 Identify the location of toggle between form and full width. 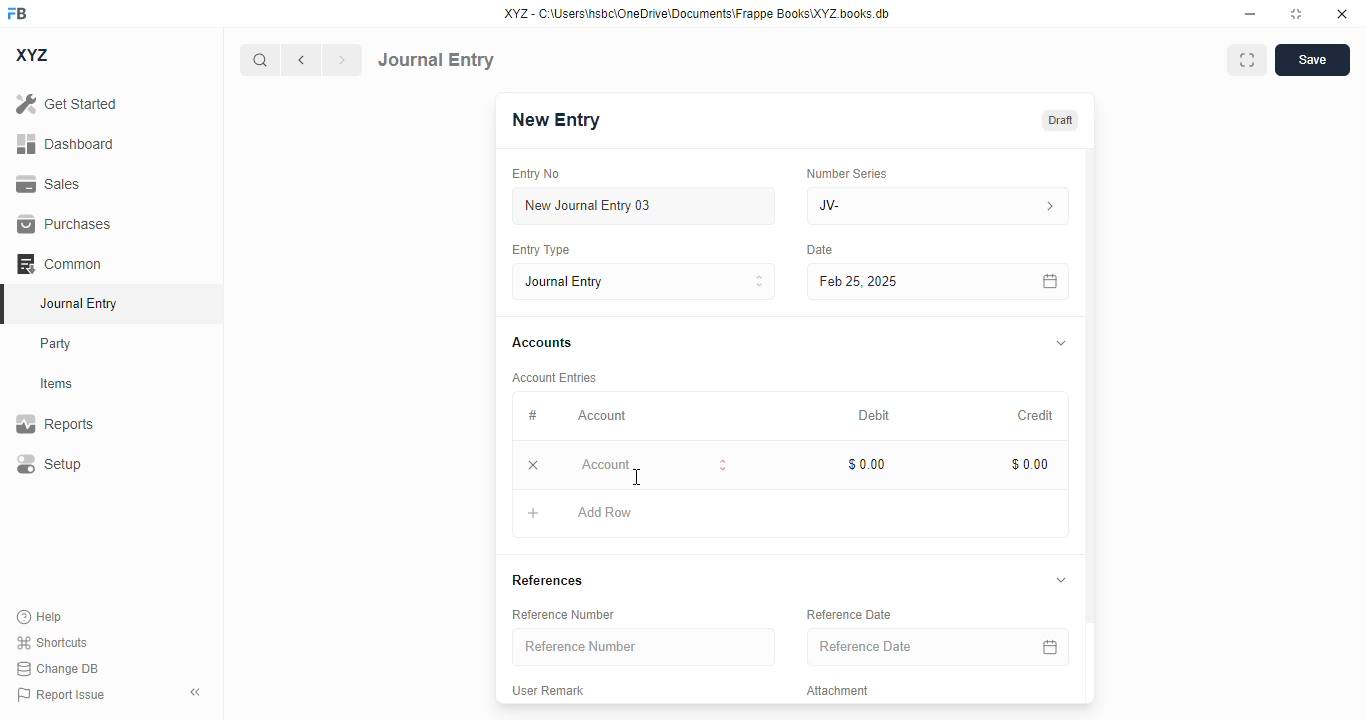
(1248, 60).